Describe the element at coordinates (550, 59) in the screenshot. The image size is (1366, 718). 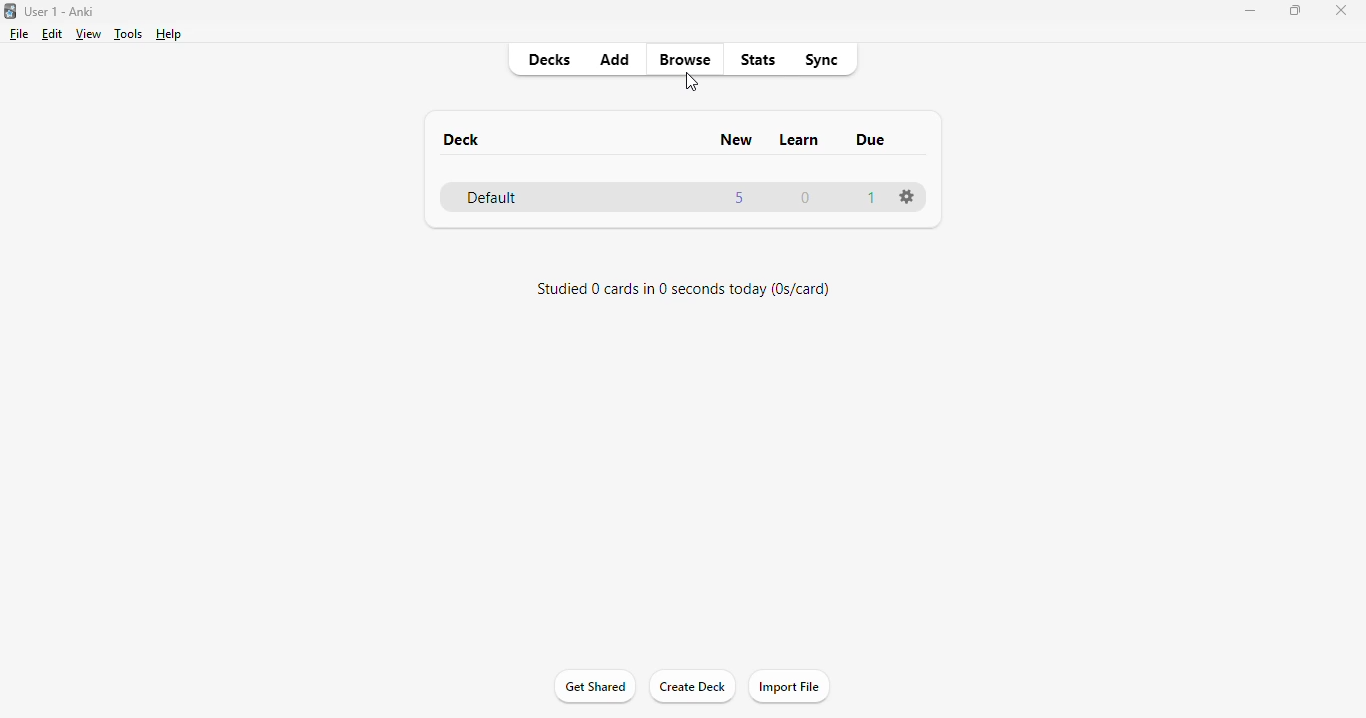
I see `decks` at that location.